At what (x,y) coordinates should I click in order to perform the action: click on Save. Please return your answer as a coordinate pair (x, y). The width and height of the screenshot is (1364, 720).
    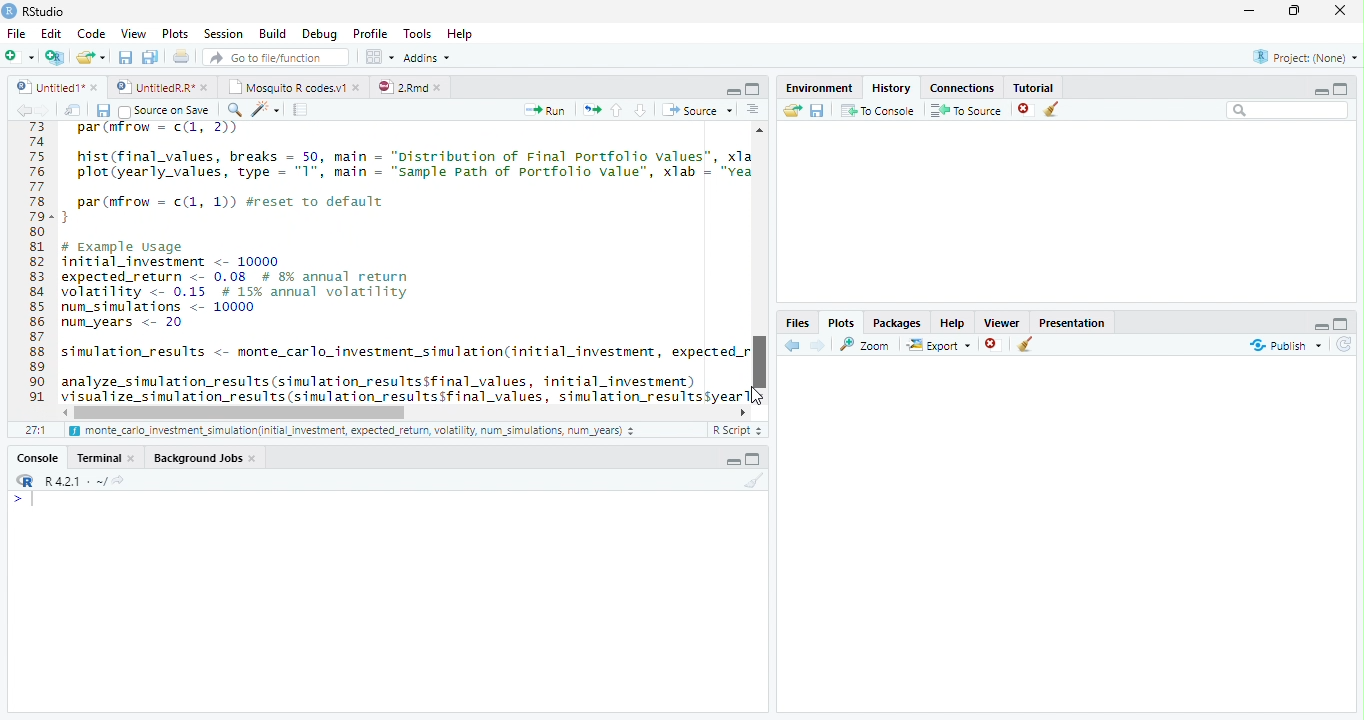
    Looking at the image, I should click on (817, 110).